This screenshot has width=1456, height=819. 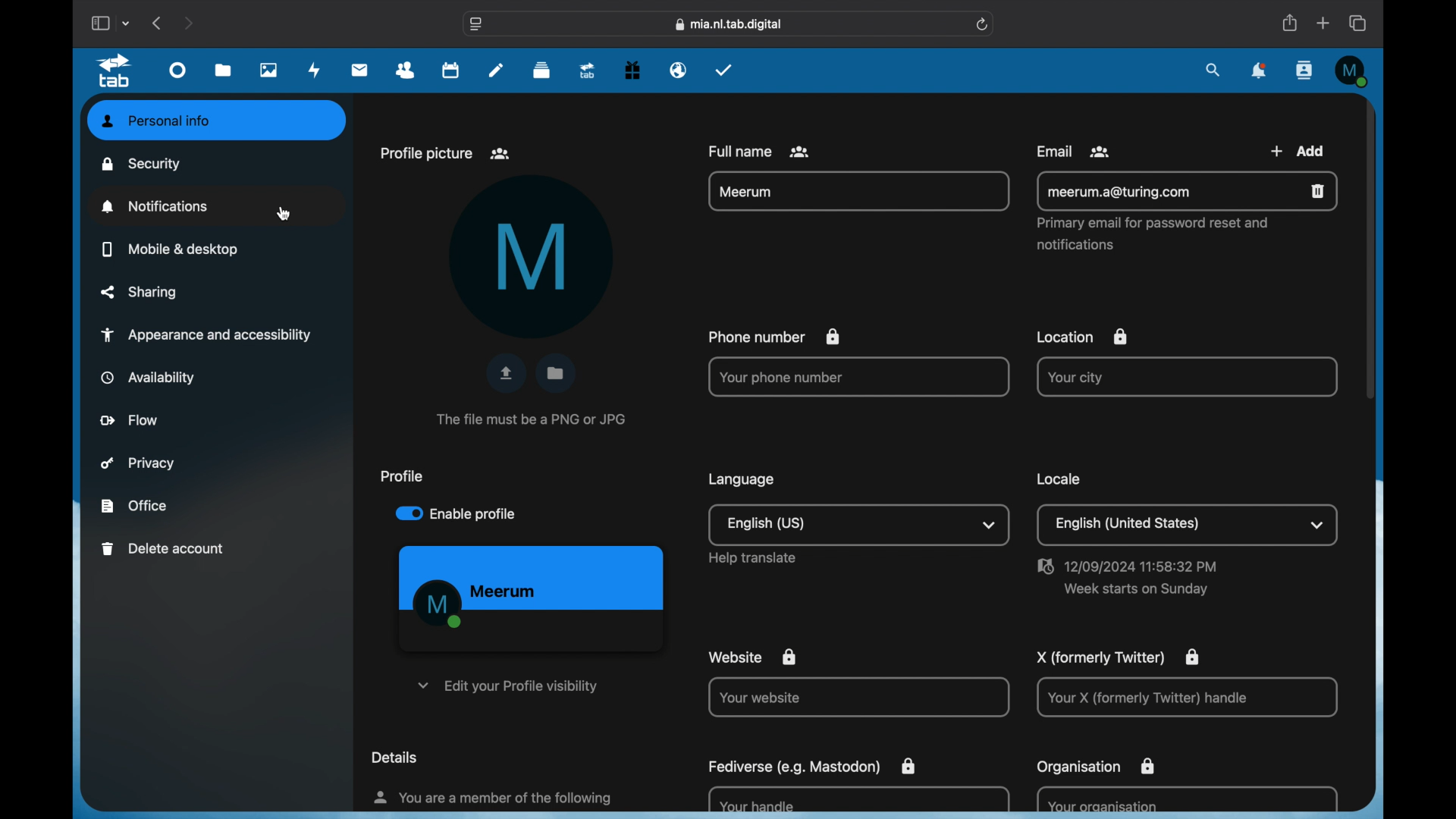 What do you see at coordinates (758, 698) in the screenshot?
I see `your website` at bounding box center [758, 698].